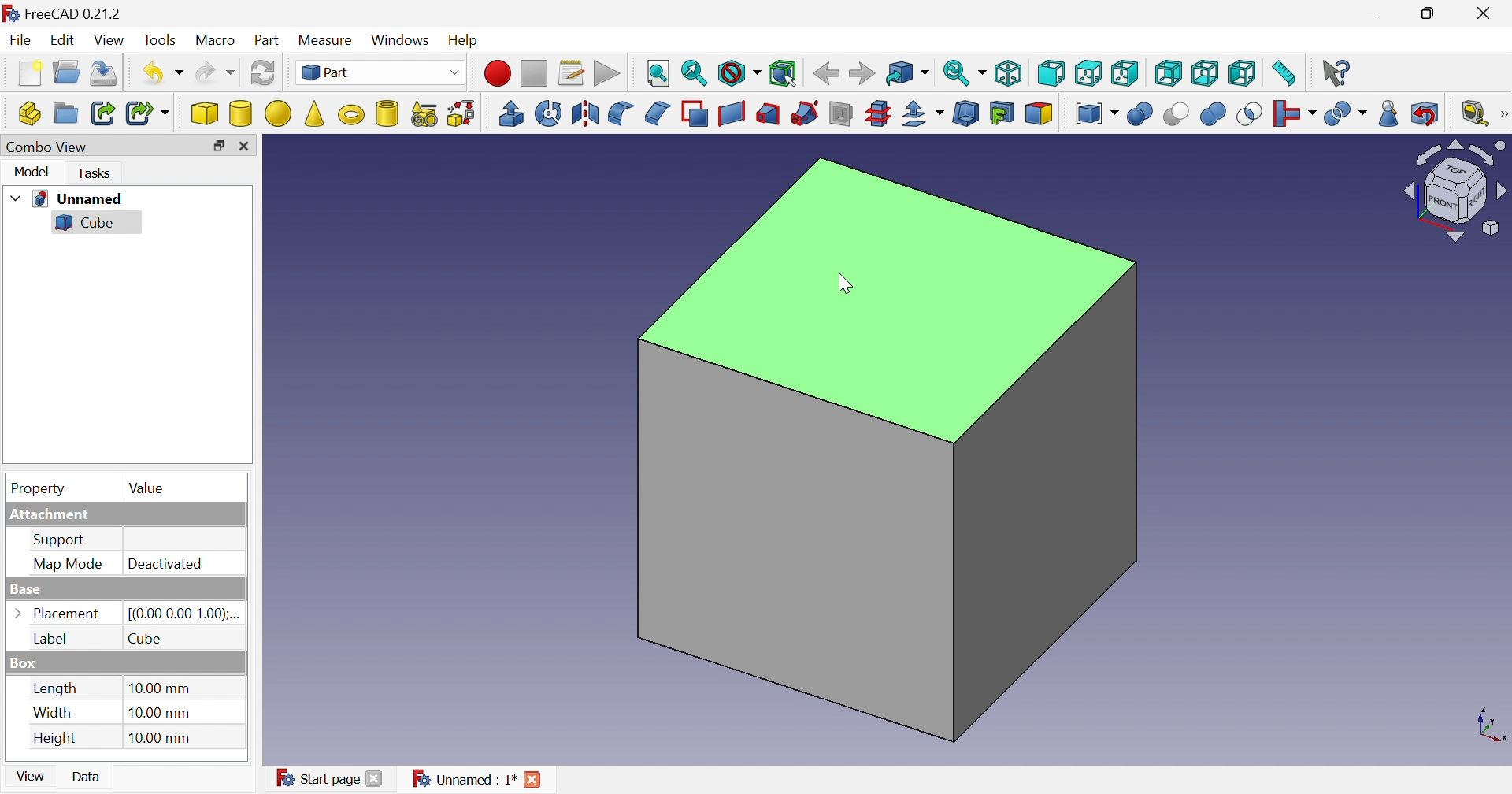  What do you see at coordinates (27, 114) in the screenshot?
I see `Create part` at bounding box center [27, 114].